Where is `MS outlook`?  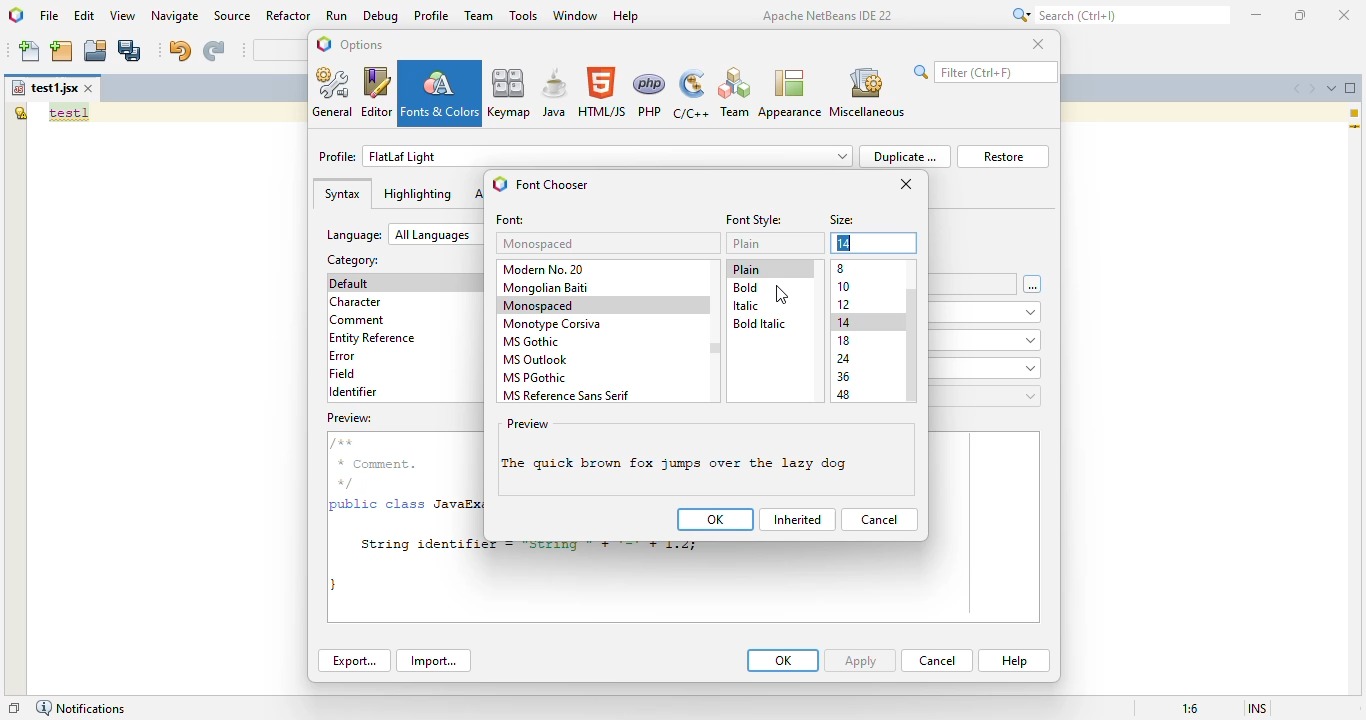
MS outlook is located at coordinates (536, 360).